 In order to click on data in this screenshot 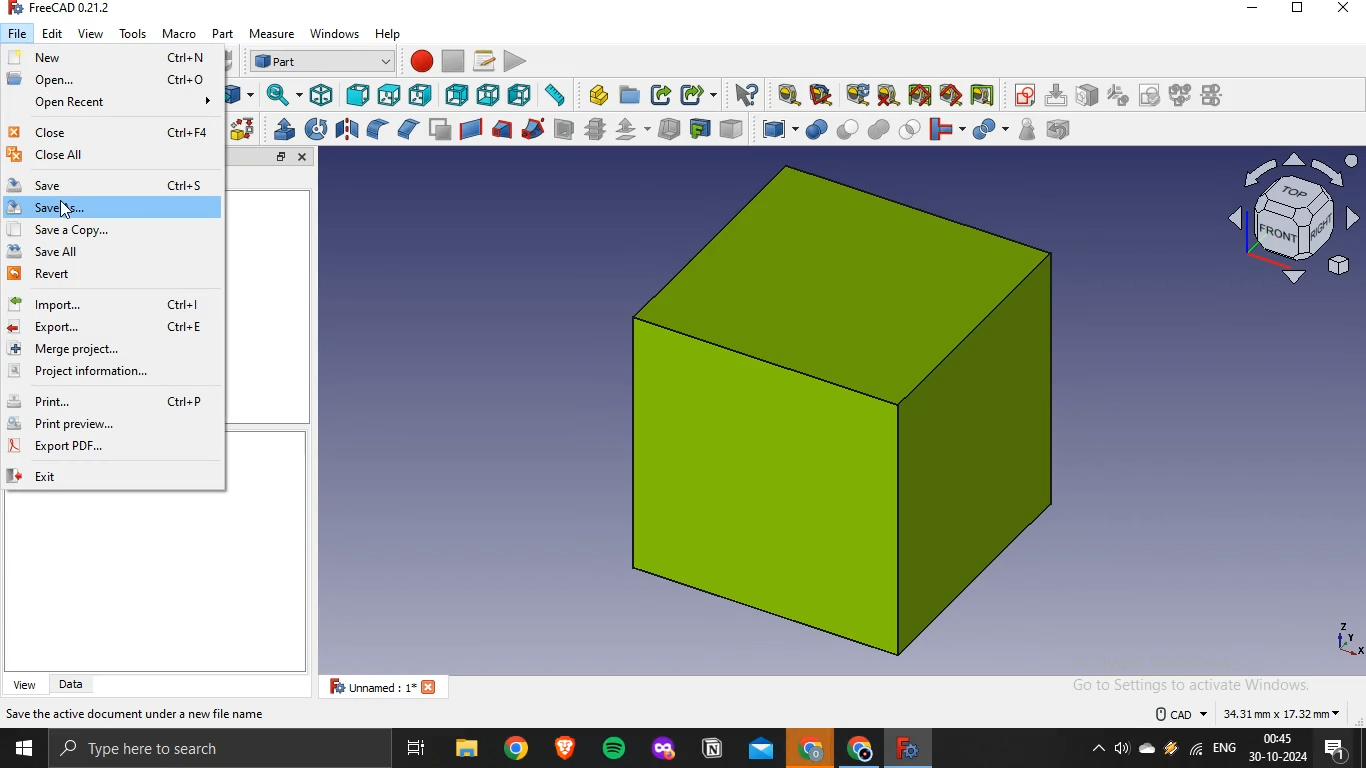, I will do `click(76, 684)`.